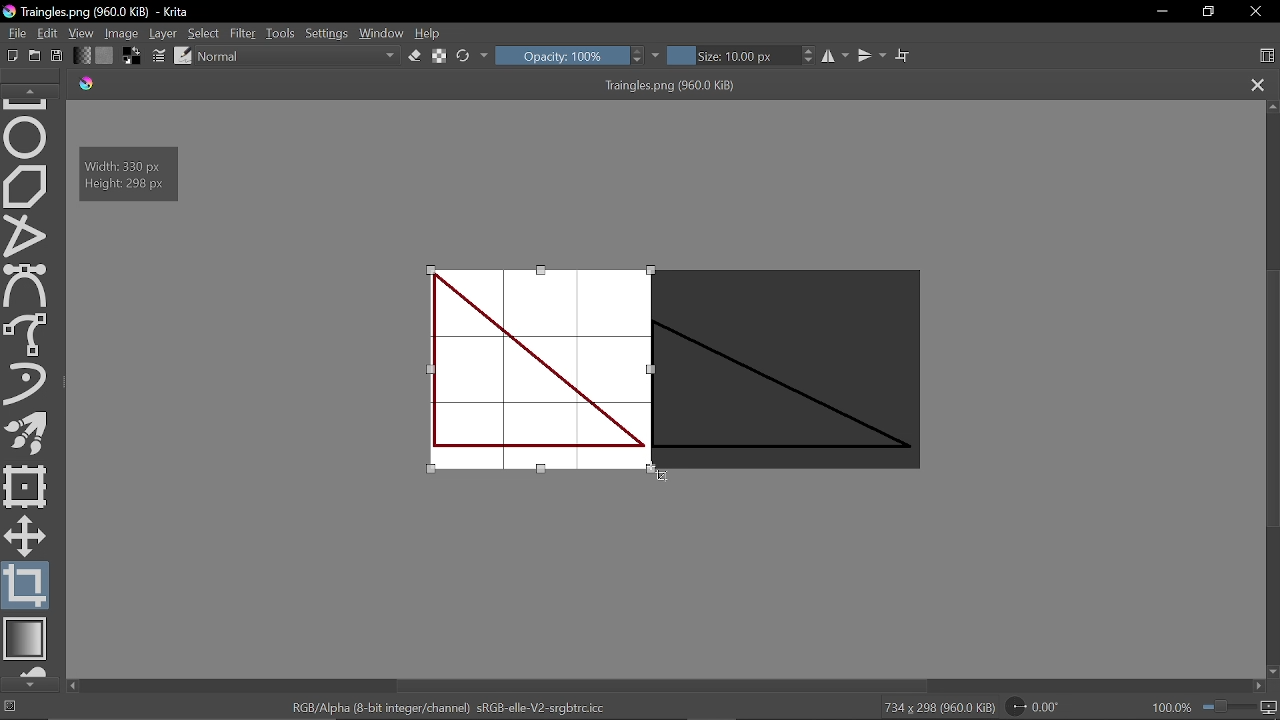 The image size is (1280, 720). What do you see at coordinates (665, 686) in the screenshot?
I see `Vertical scrollbar` at bounding box center [665, 686].